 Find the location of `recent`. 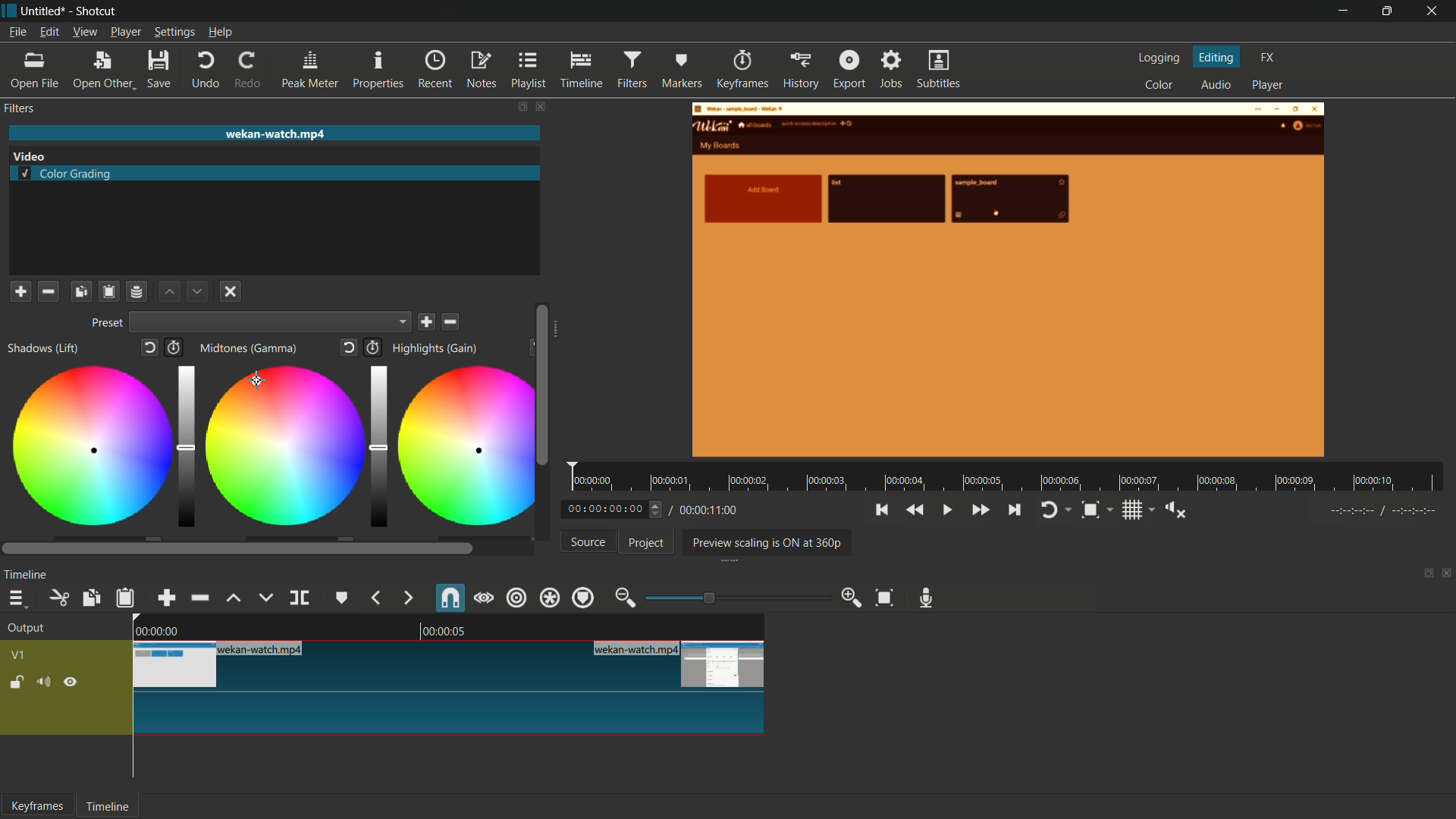

recent is located at coordinates (435, 70).